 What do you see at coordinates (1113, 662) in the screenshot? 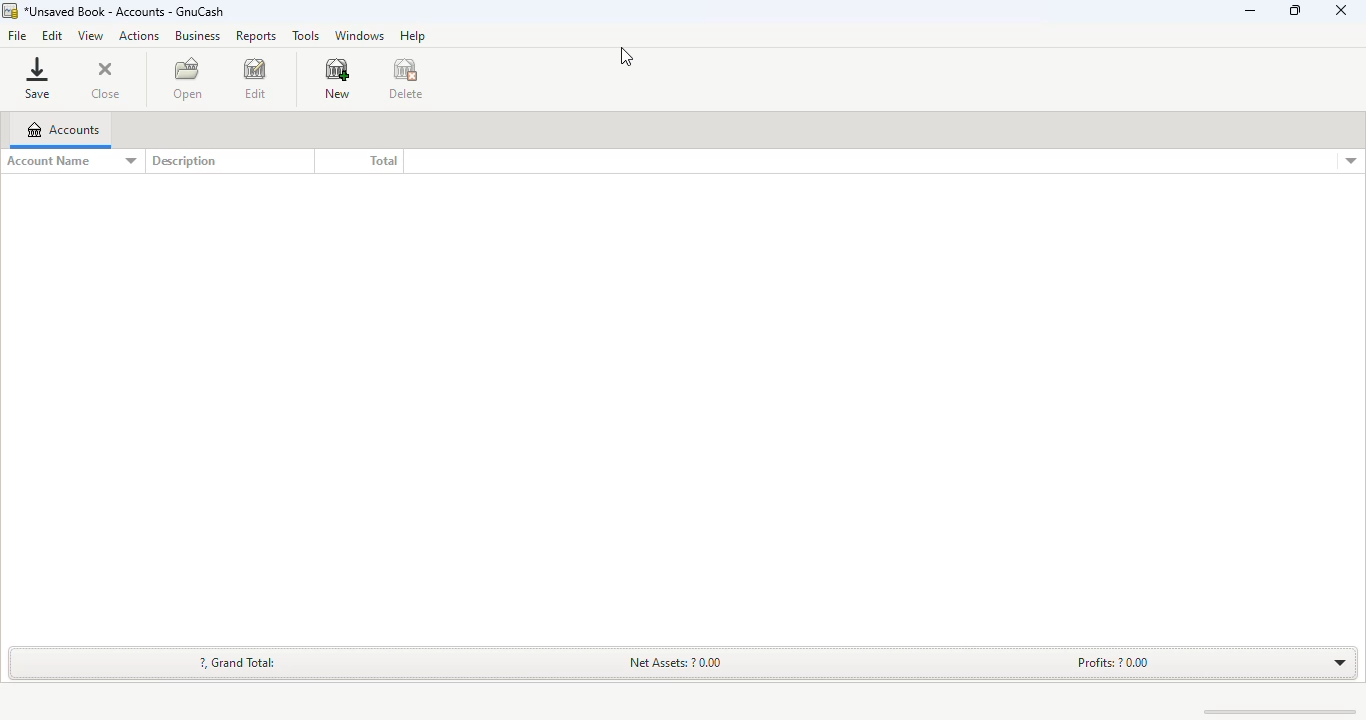
I see `Profits: ?0.00` at bounding box center [1113, 662].